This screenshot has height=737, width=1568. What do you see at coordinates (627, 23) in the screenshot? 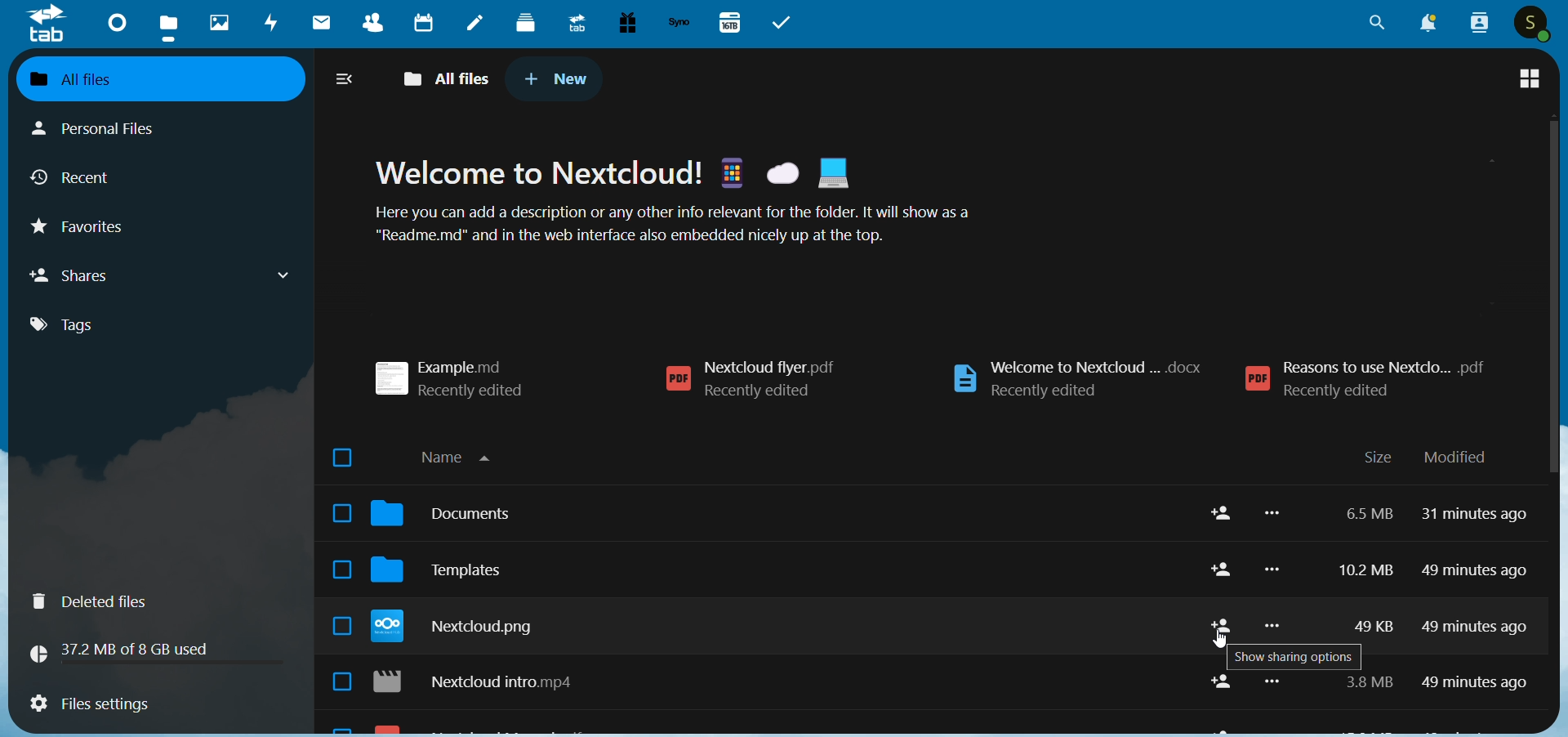
I see `free trial` at bounding box center [627, 23].